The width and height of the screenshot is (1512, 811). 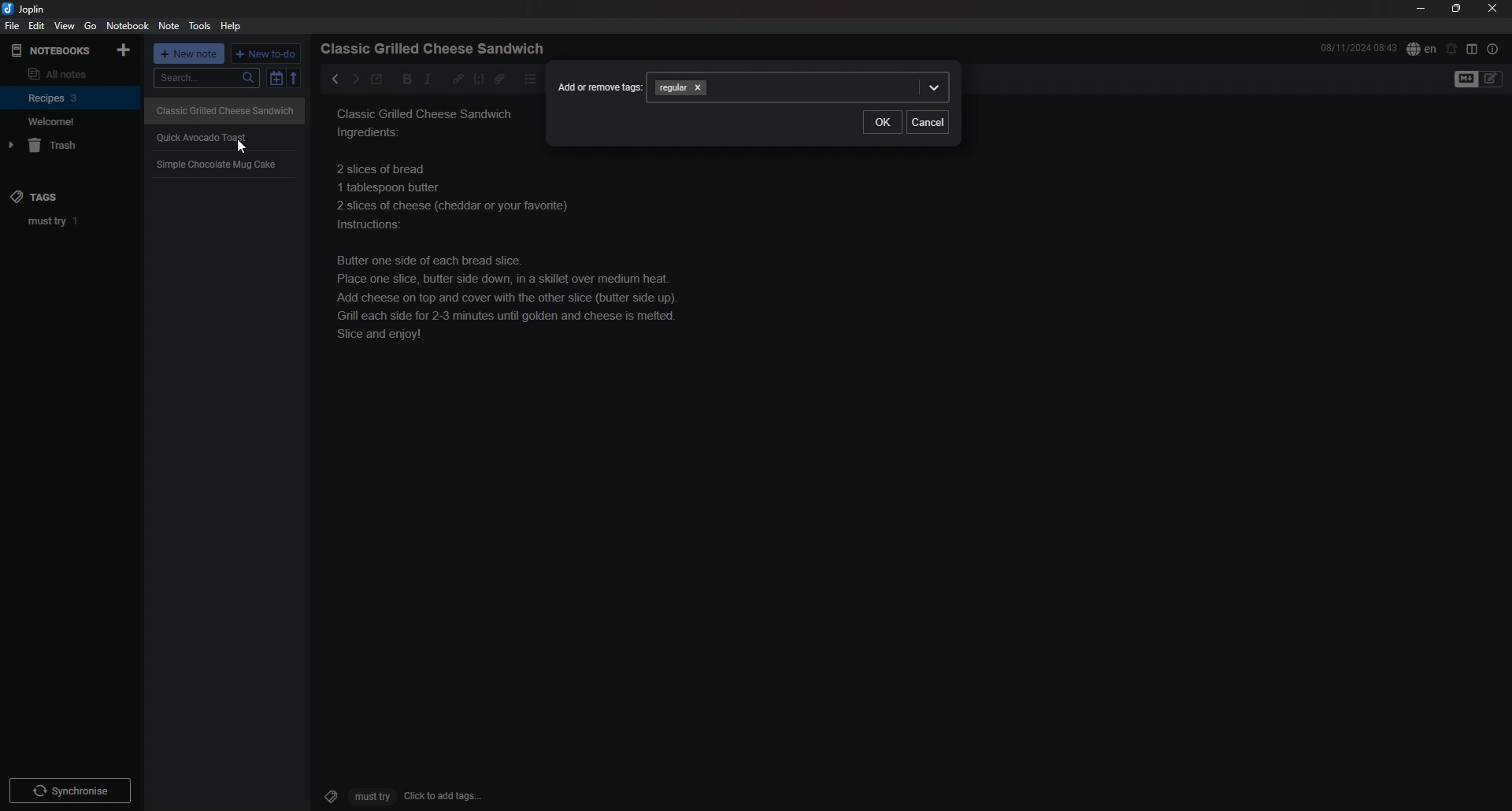 I want to click on add or remove tags, so click(x=598, y=86).